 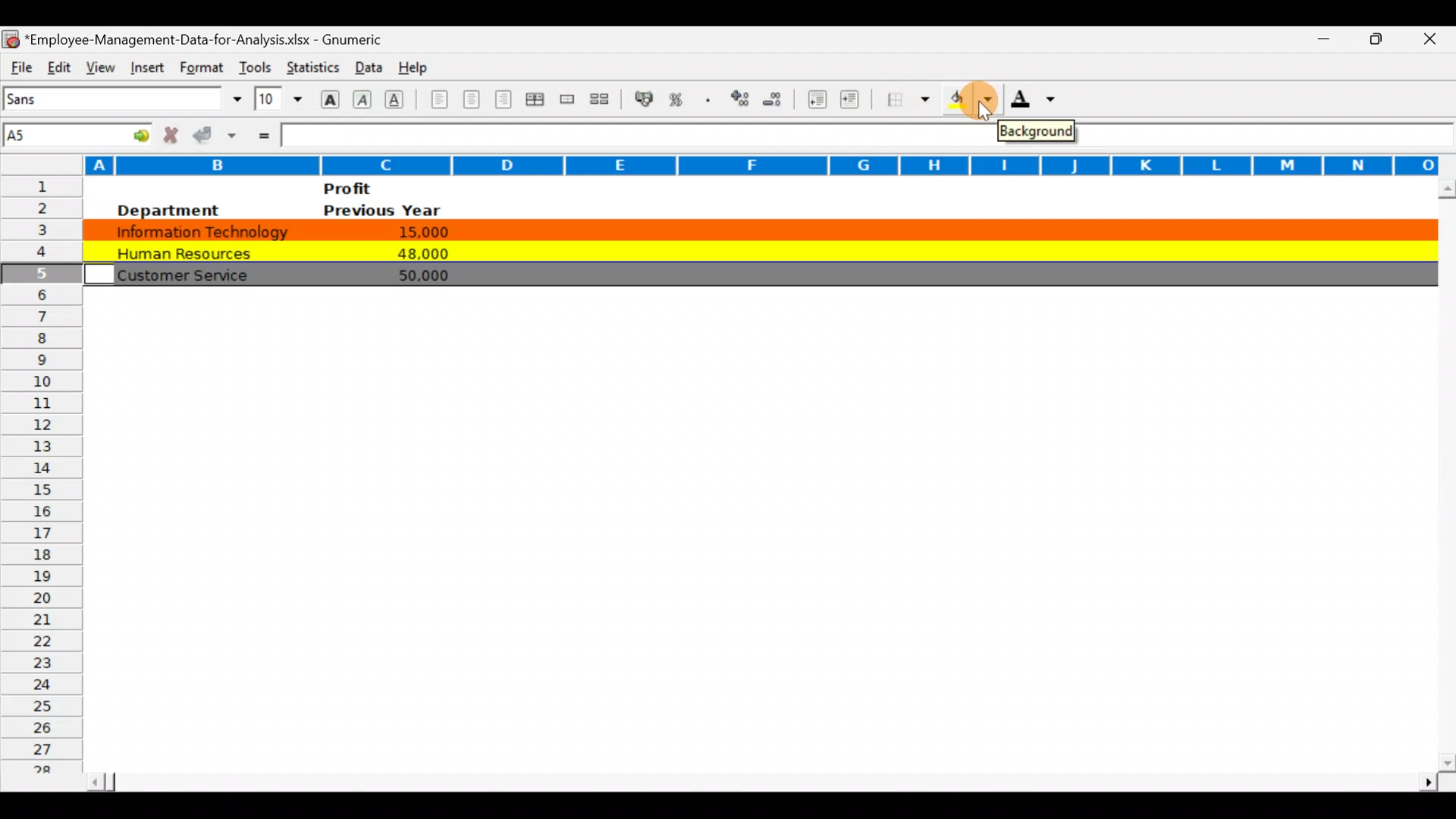 What do you see at coordinates (41, 480) in the screenshot?
I see `Rows` at bounding box center [41, 480].